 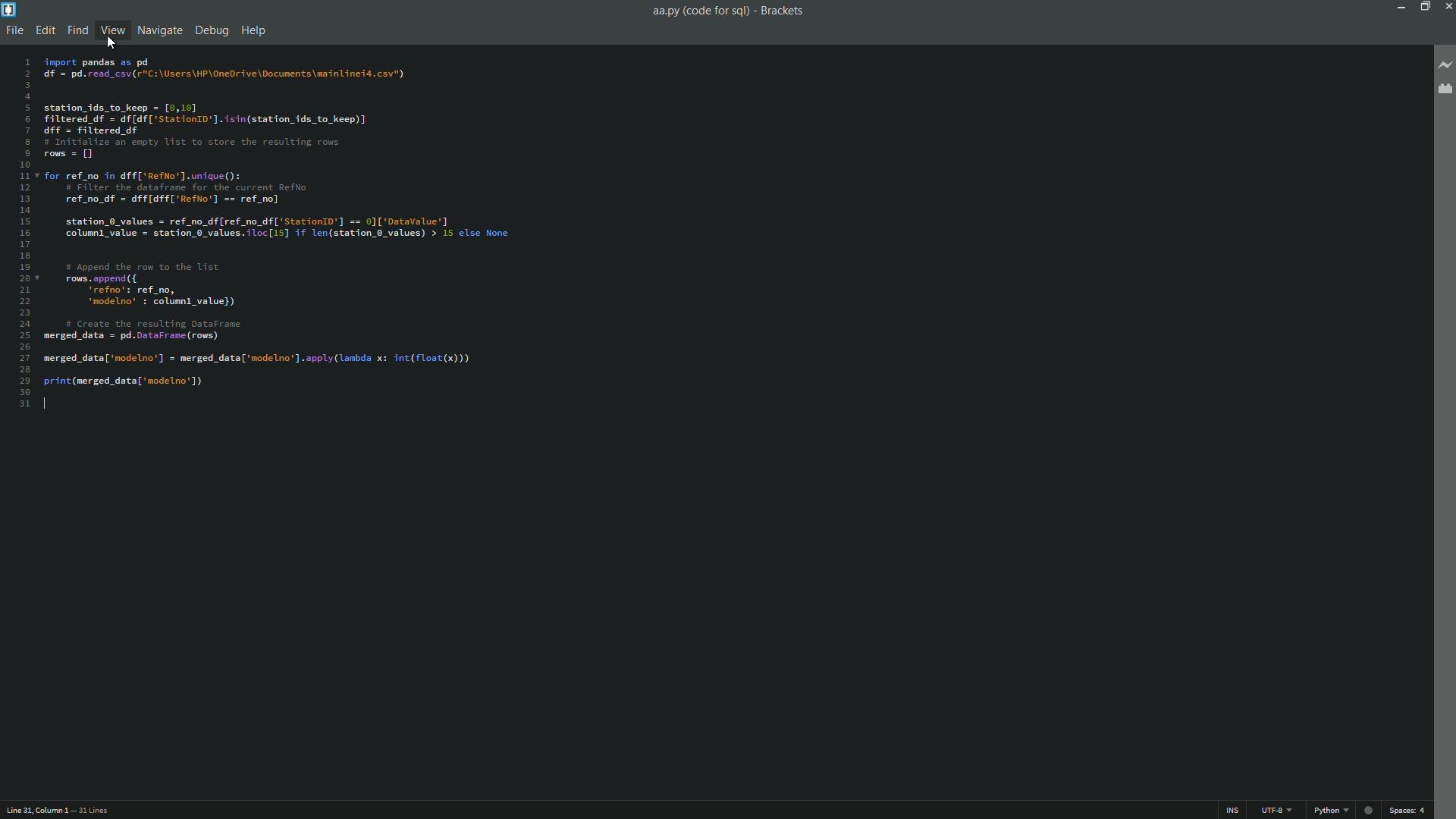 What do you see at coordinates (110, 43) in the screenshot?
I see `cursor` at bounding box center [110, 43].